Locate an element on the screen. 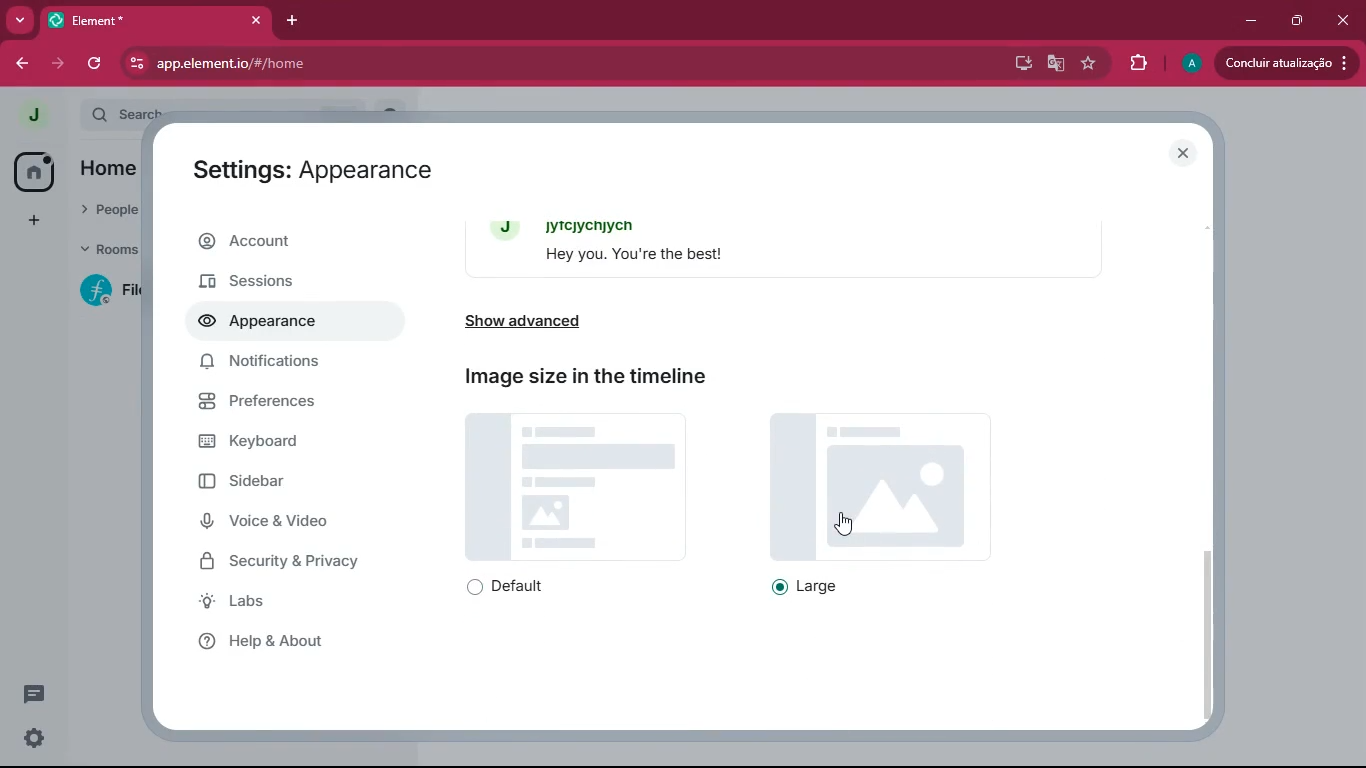 This screenshot has width=1366, height=768. favourite is located at coordinates (1087, 65).